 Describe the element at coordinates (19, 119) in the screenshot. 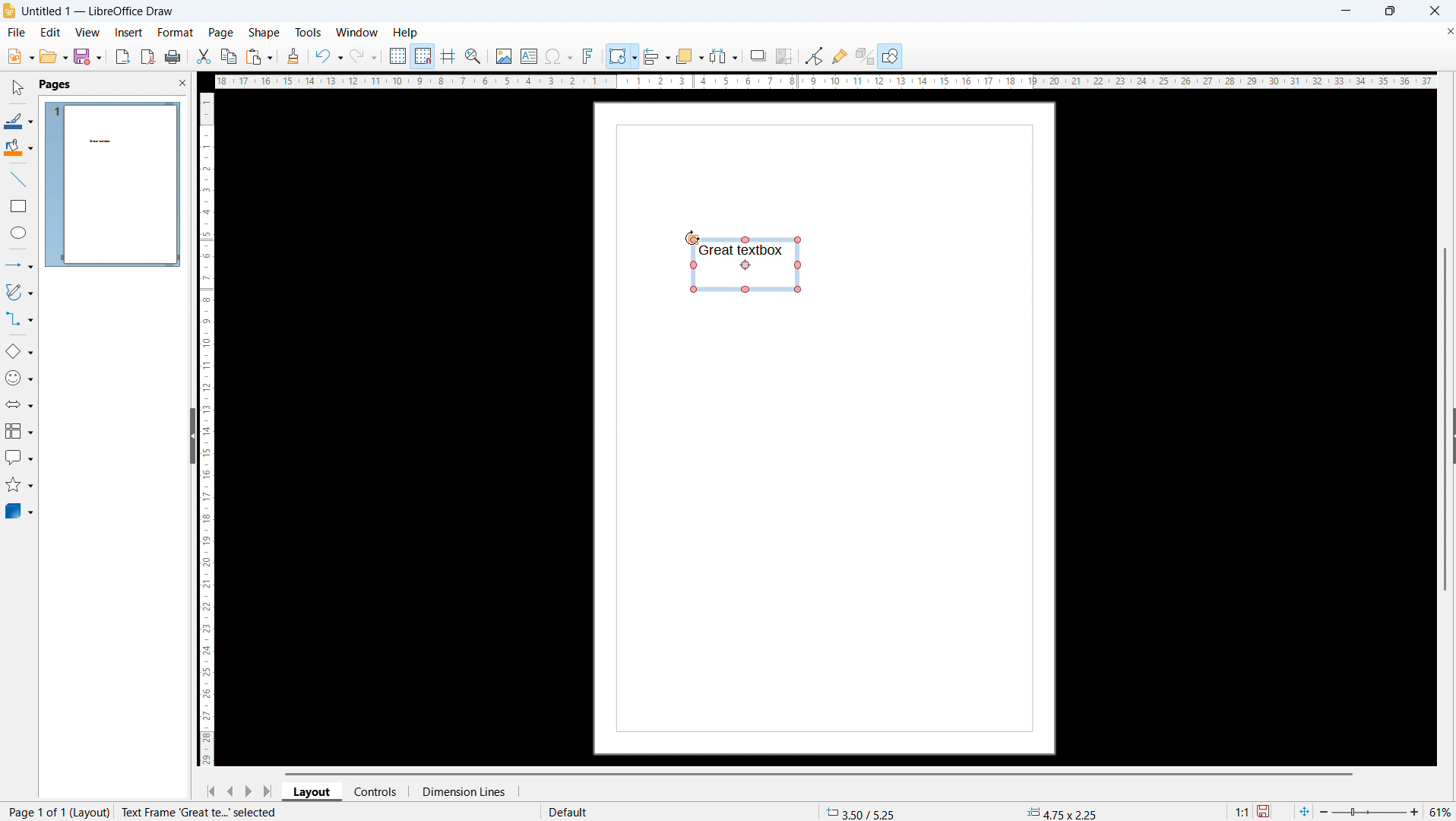

I see `line color` at that location.